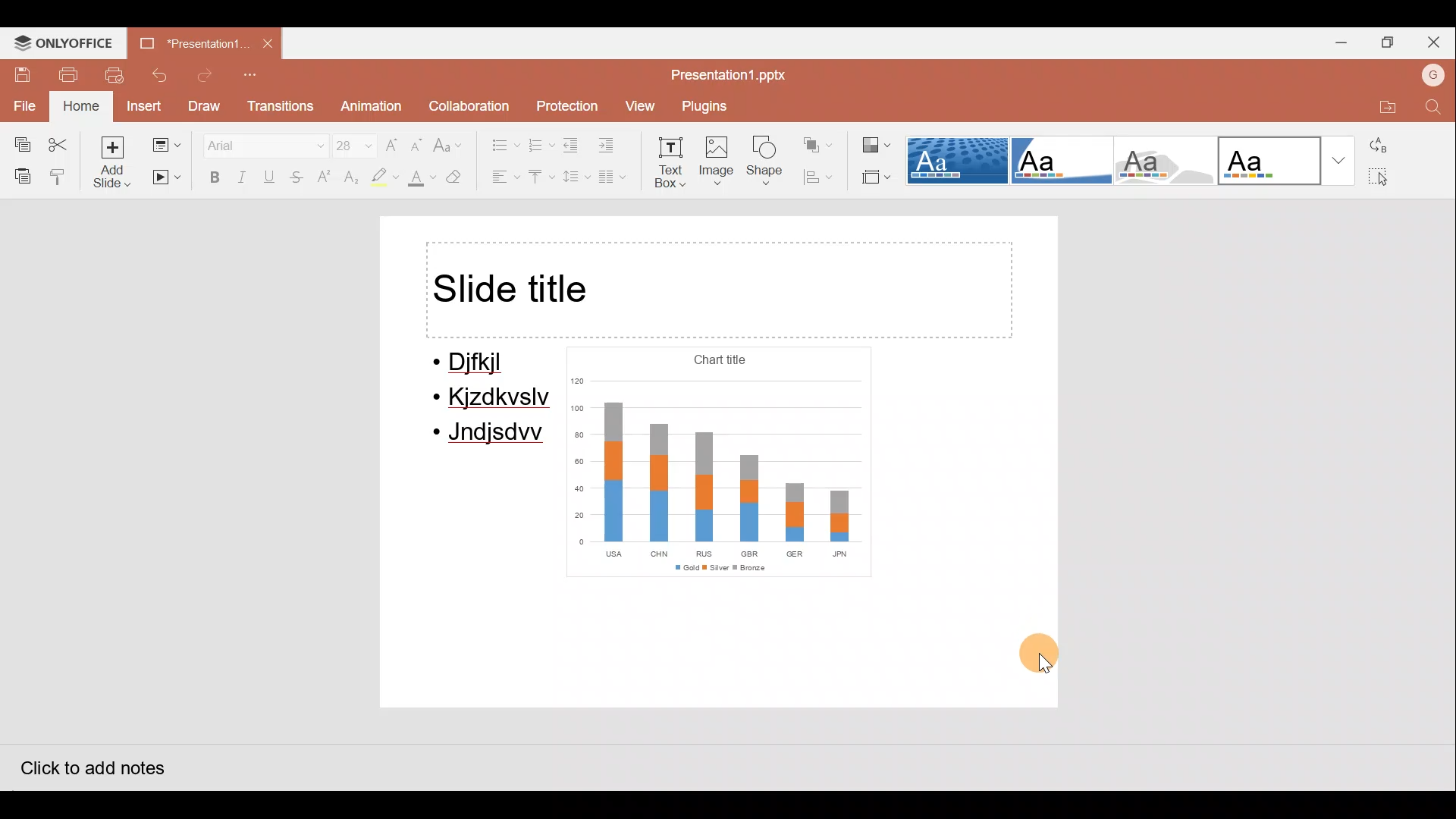 The width and height of the screenshot is (1456, 819). What do you see at coordinates (1387, 149) in the screenshot?
I see `Replace` at bounding box center [1387, 149].